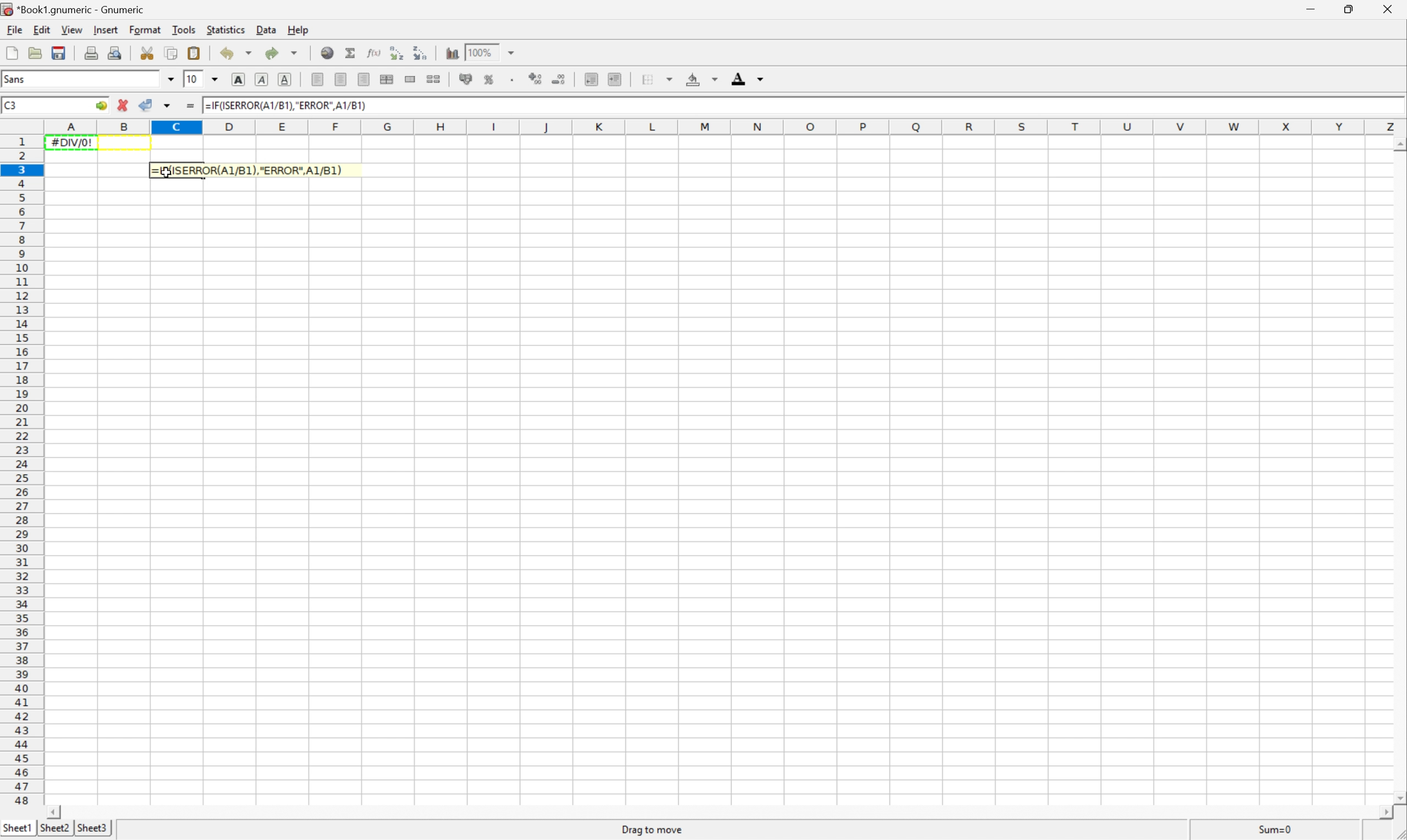 Image resolution: width=1407 pixels, height=840 pixels. Describe the element at coordinates (216, 79) in the screenshot. I see `Drop down` at that location.